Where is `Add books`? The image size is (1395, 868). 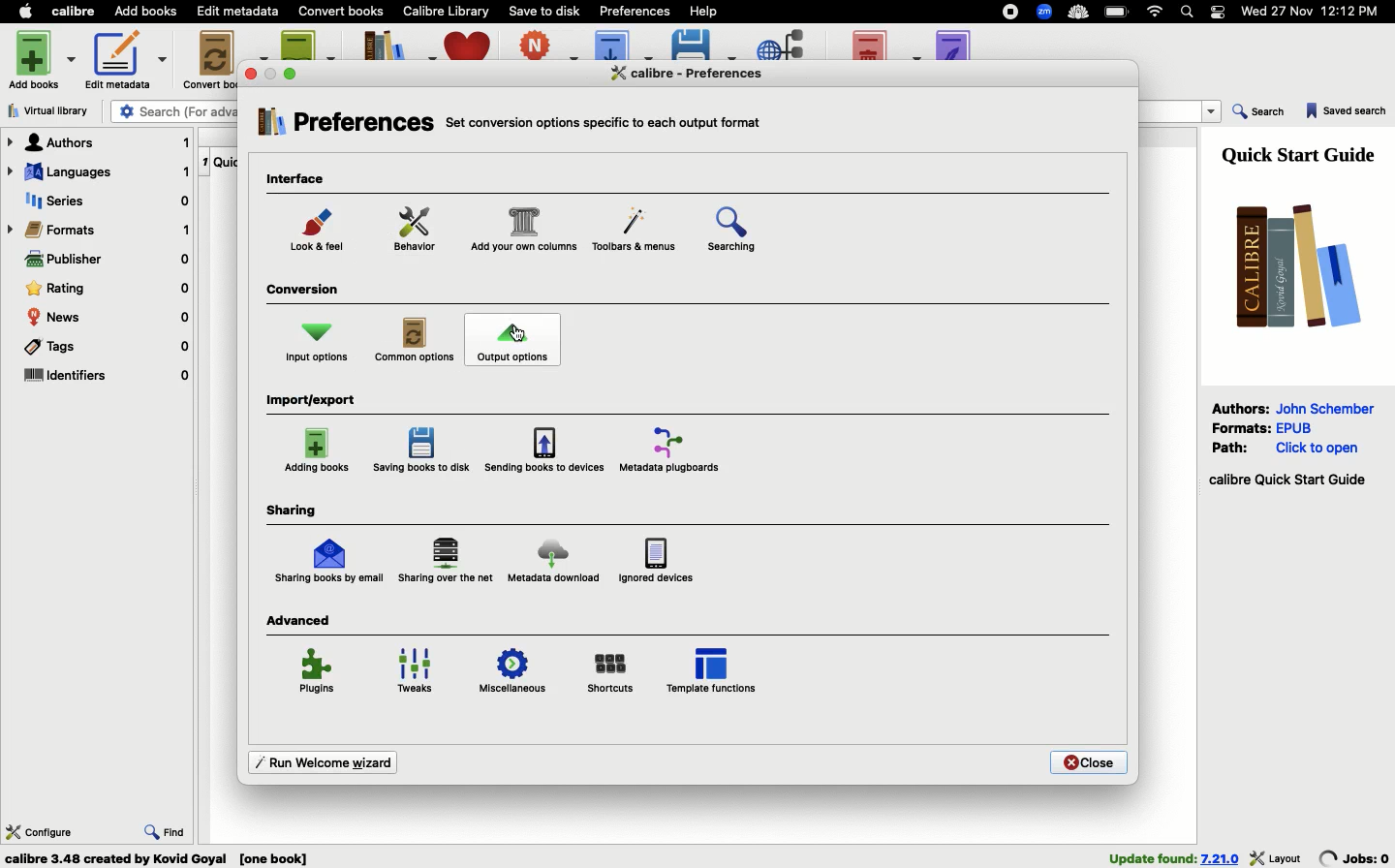 Add books is located at coordinates (146, 13).